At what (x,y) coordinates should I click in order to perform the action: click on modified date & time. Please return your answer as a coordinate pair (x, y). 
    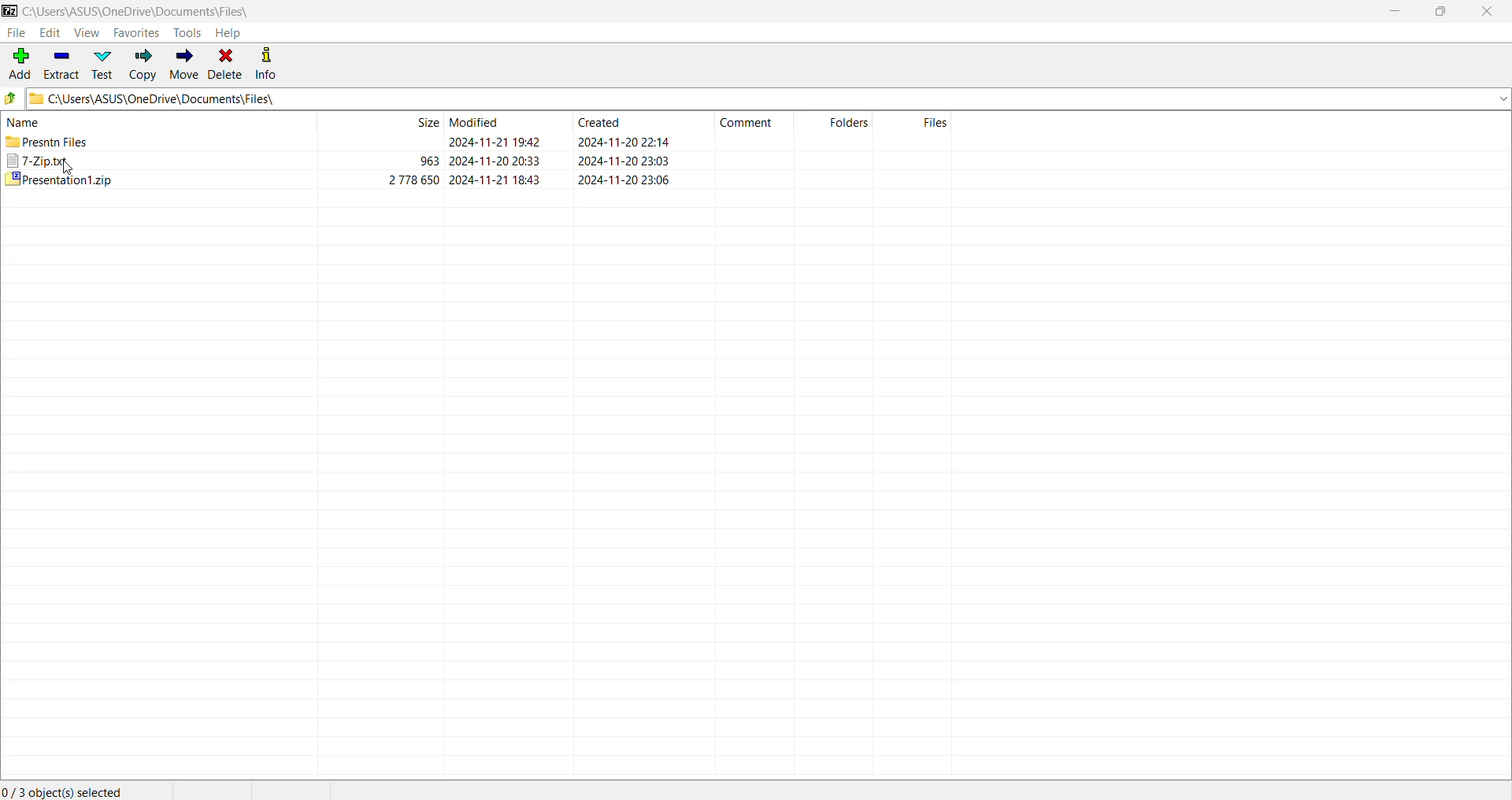
    Looking at the image, I should click on (495, 142).